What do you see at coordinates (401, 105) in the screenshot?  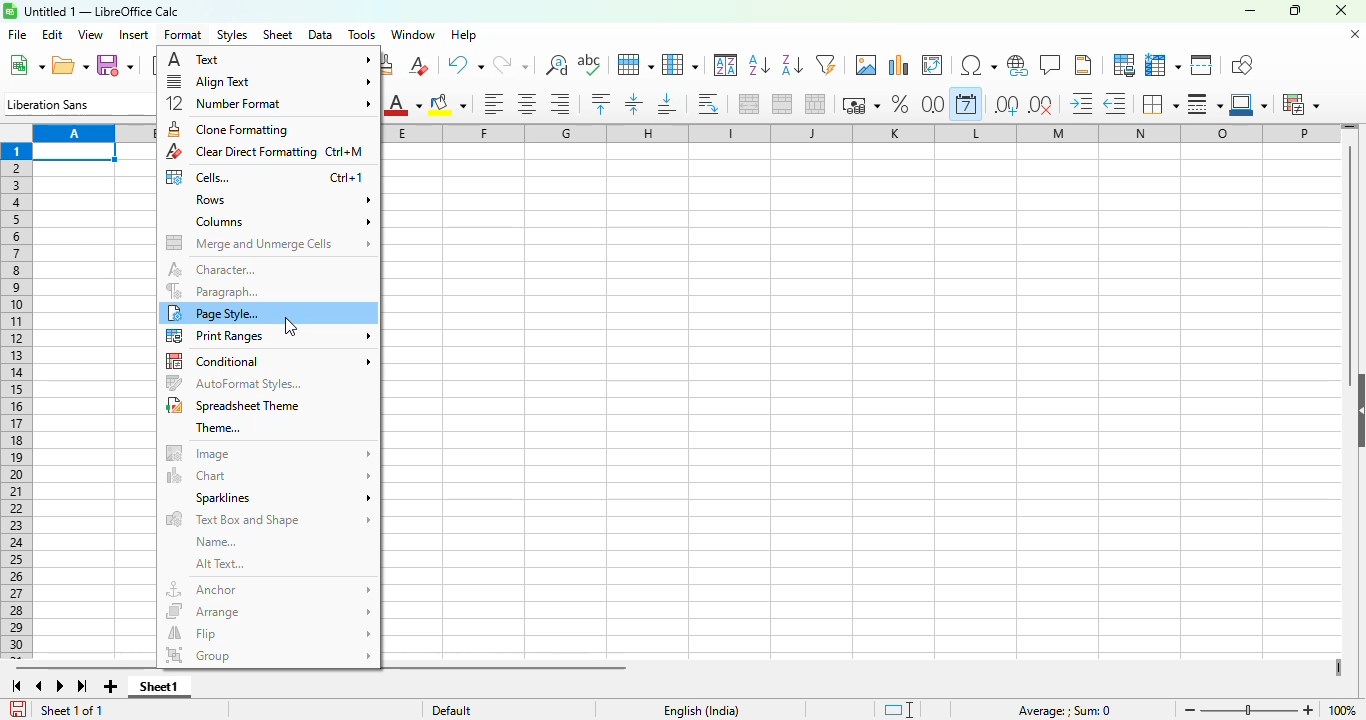 I see `font color` at bounding box center [401, 105].